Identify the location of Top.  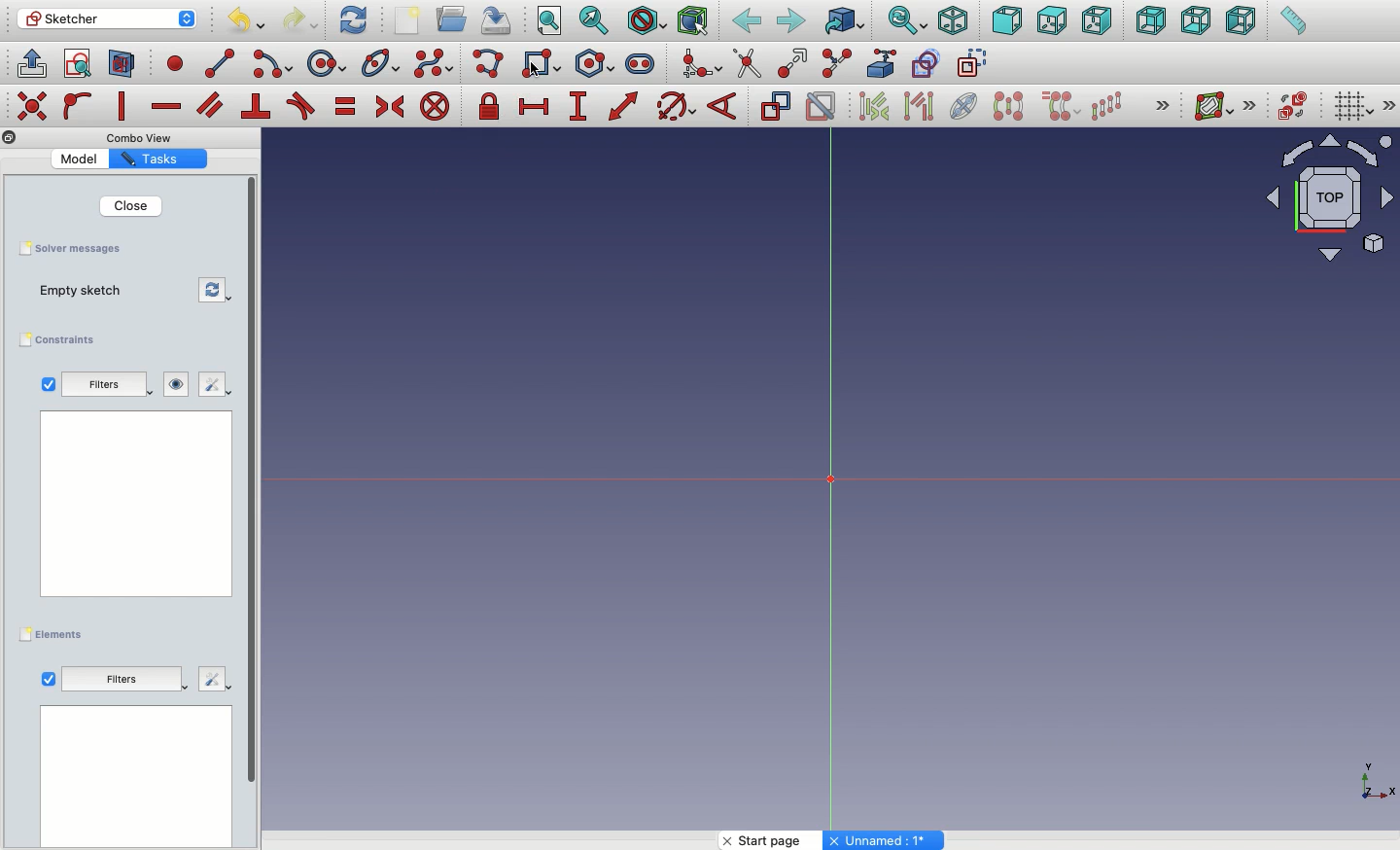
(1051, 21).